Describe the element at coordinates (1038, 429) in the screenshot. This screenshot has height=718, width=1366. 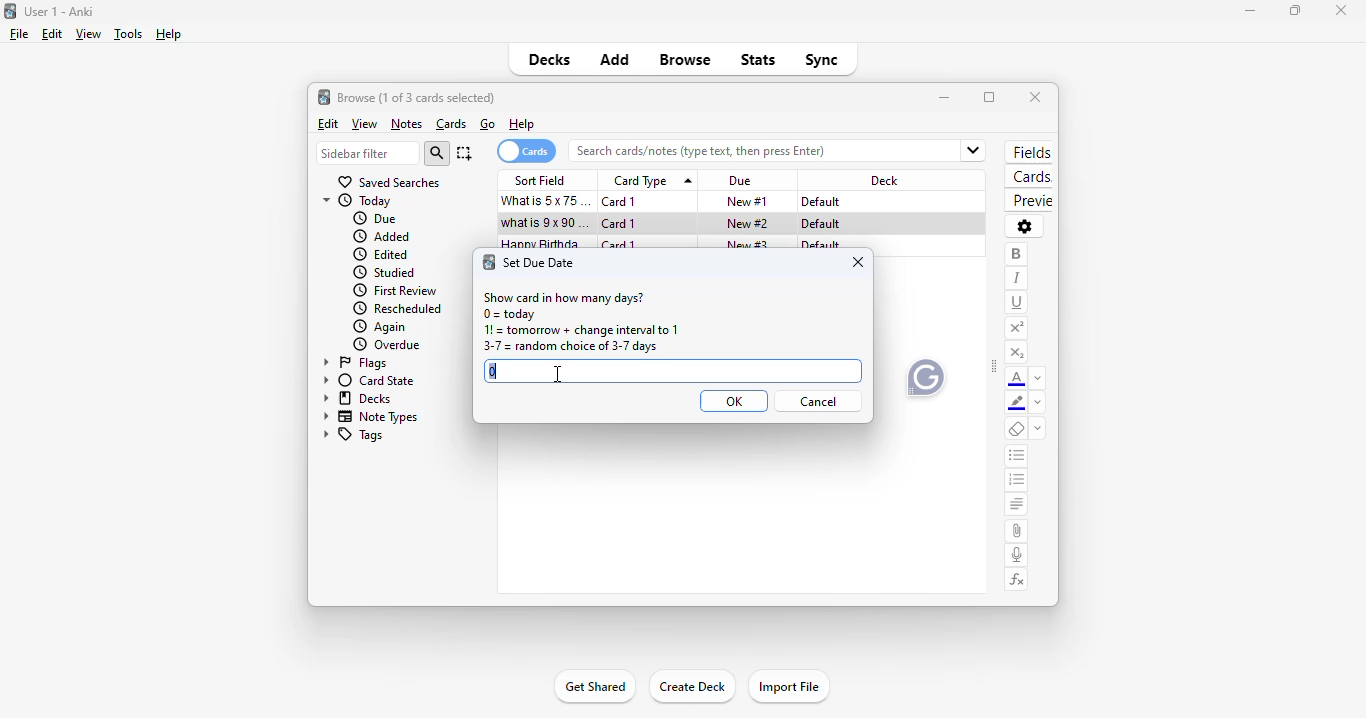
I see `select formatting to remove` at that location.